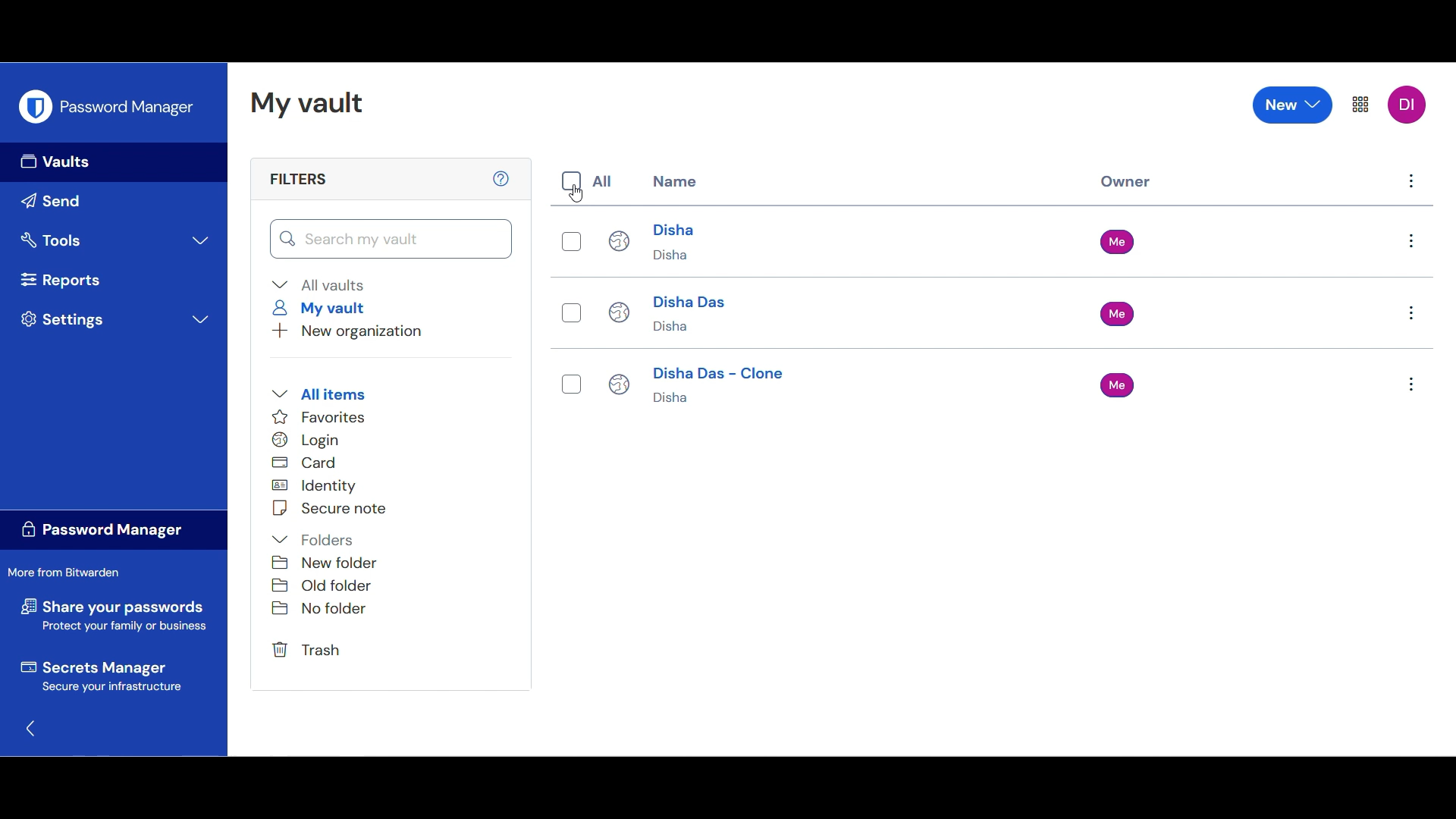 The height and width of the screenshot is (819, 1456). Describe the element at coordinates (654, 240) in the screenshot. I see `Disha      Disha` at that location.